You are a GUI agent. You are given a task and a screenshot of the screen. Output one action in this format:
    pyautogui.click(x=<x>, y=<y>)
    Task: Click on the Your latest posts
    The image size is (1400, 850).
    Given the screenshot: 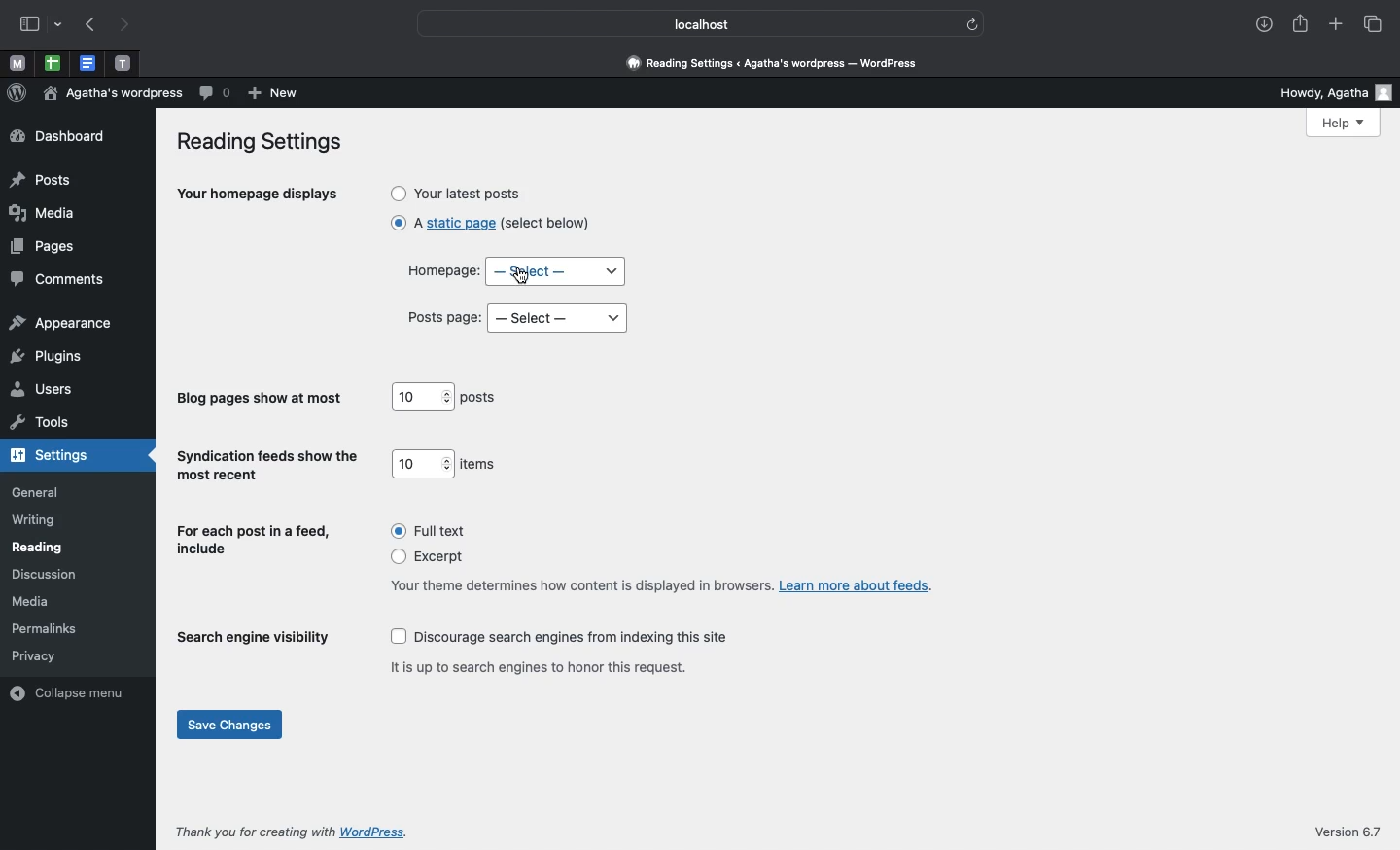 What is the action you would take?
    pyautogui.click(x=458, y=193)
    